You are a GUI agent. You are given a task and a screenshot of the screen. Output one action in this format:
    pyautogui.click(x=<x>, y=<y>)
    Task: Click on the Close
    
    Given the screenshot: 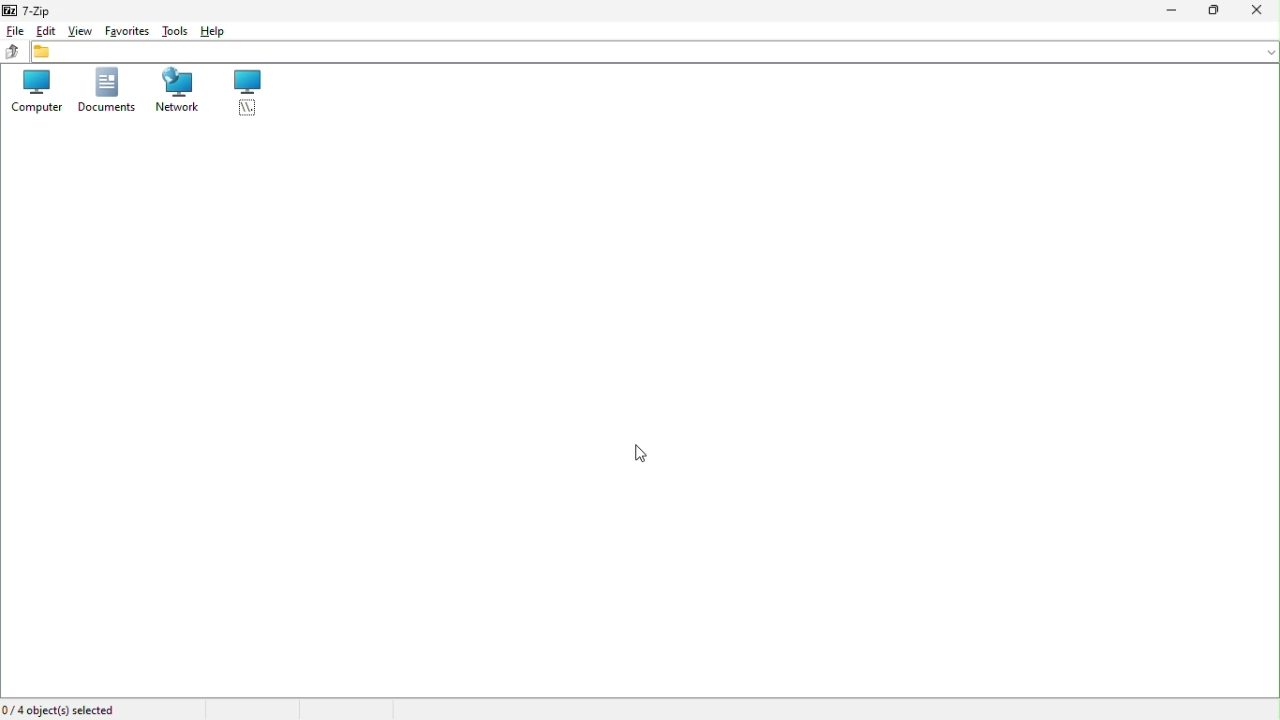 What is the action you would take?
    pyautogui.click(x=1260, y=13)
    